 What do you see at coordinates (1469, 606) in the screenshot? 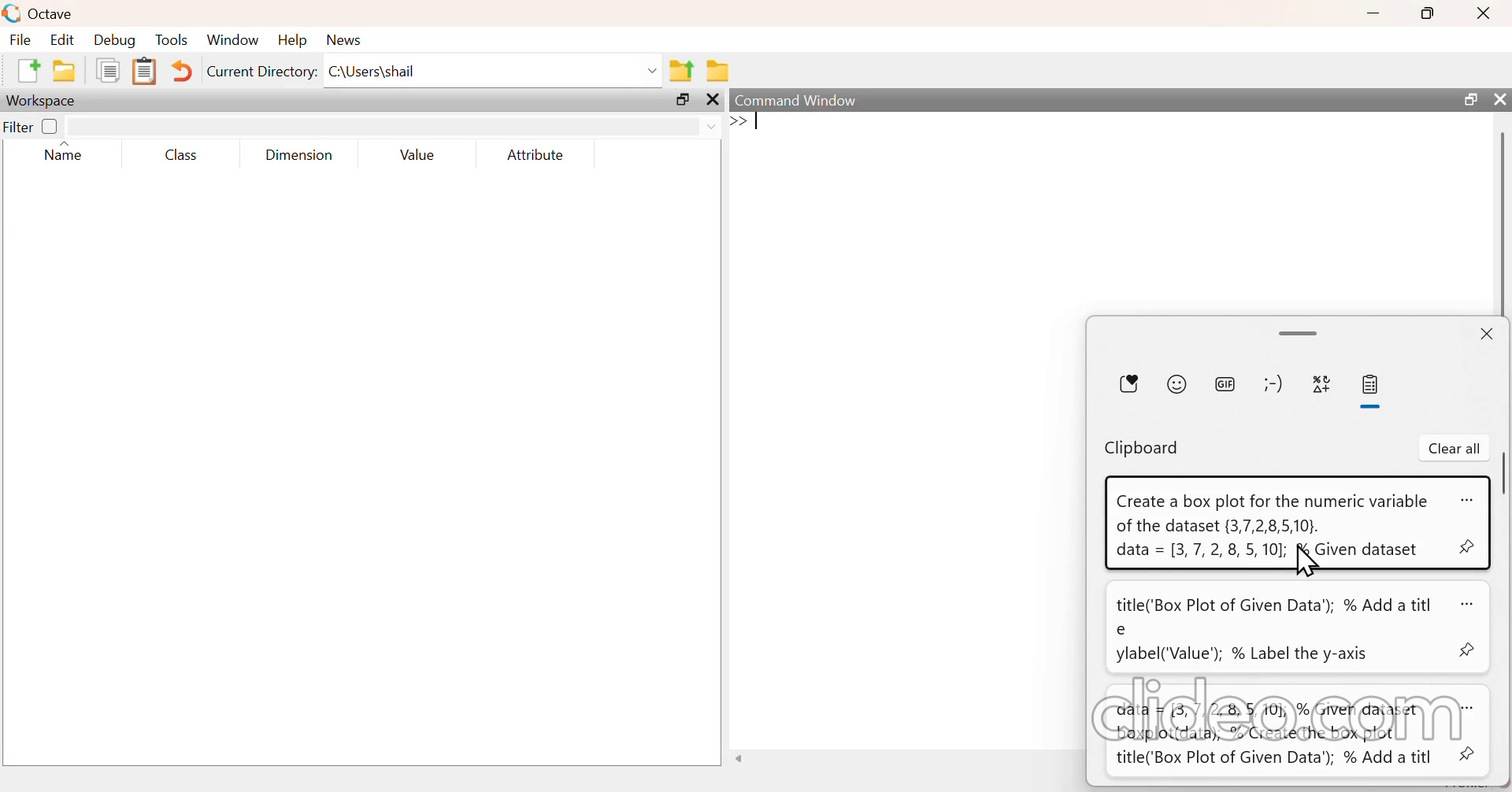
I see `more options` at bounding box center [1469, 606].